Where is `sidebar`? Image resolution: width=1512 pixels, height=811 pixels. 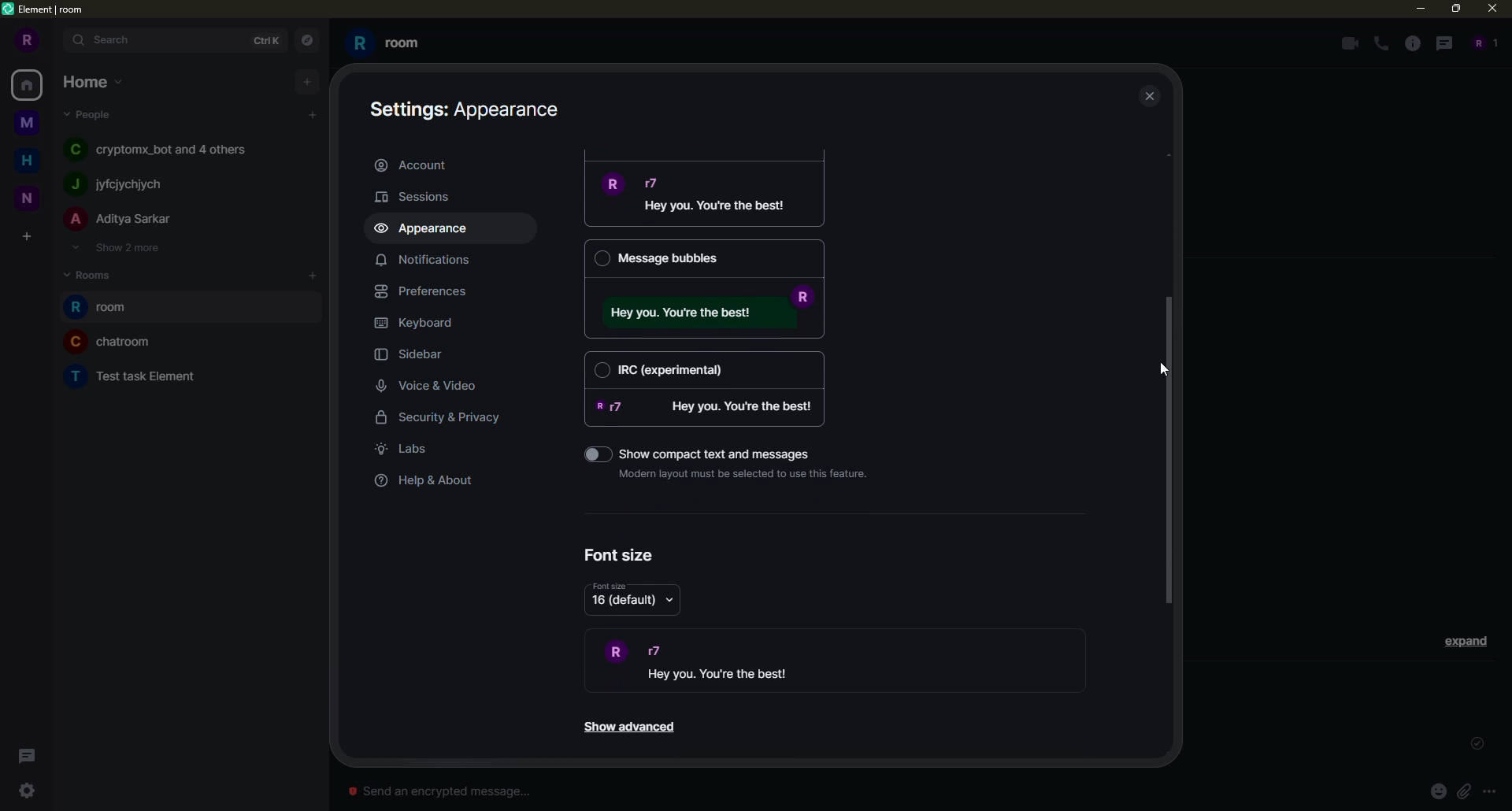
sidebar is located at coordinates (416, 356).